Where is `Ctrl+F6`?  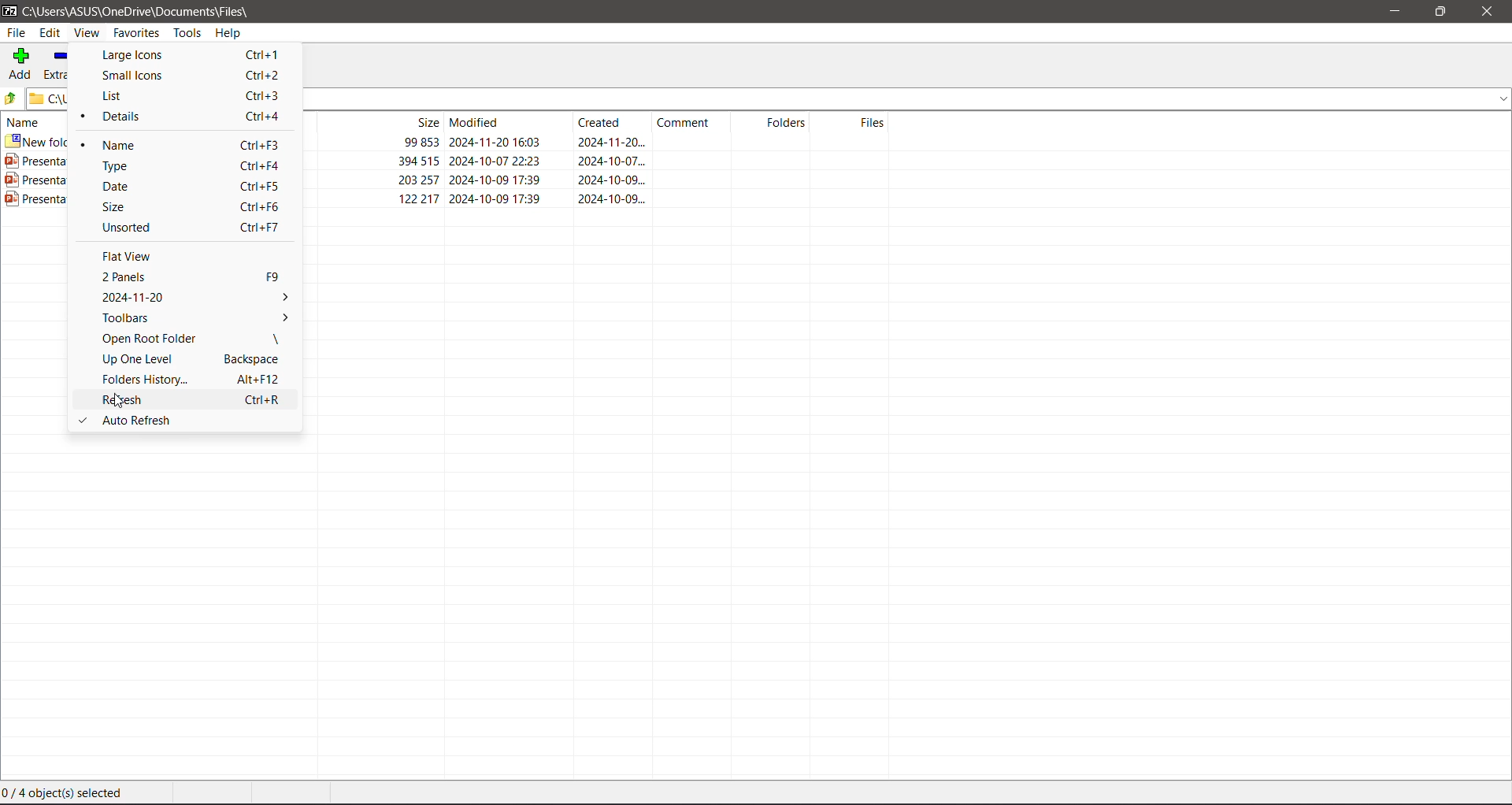 Ctrl+F6 is located at coordinates (260, 206).